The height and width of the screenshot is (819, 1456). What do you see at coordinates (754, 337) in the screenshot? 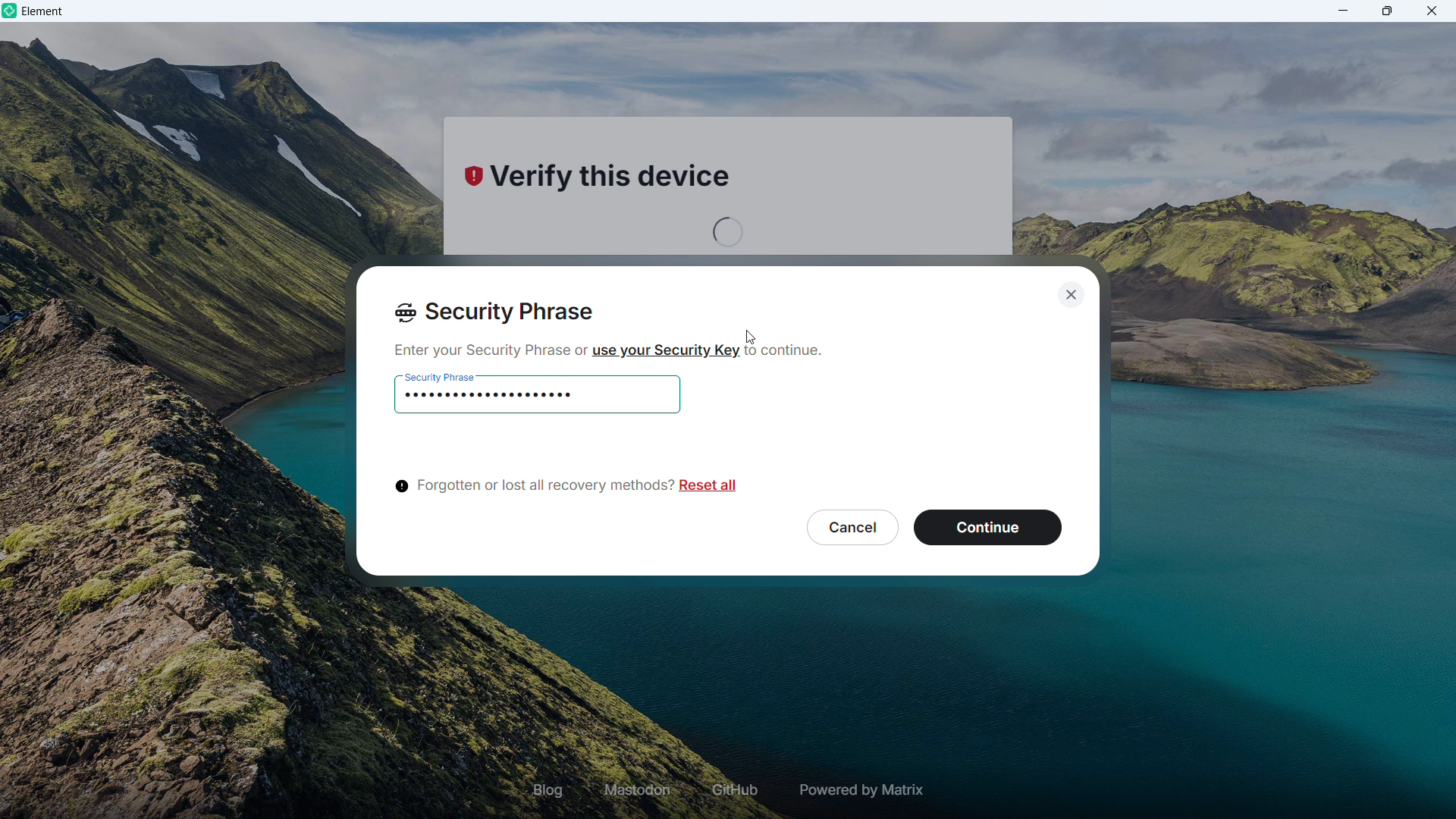
I see `cursor movement` at bounding box center [754, 337].